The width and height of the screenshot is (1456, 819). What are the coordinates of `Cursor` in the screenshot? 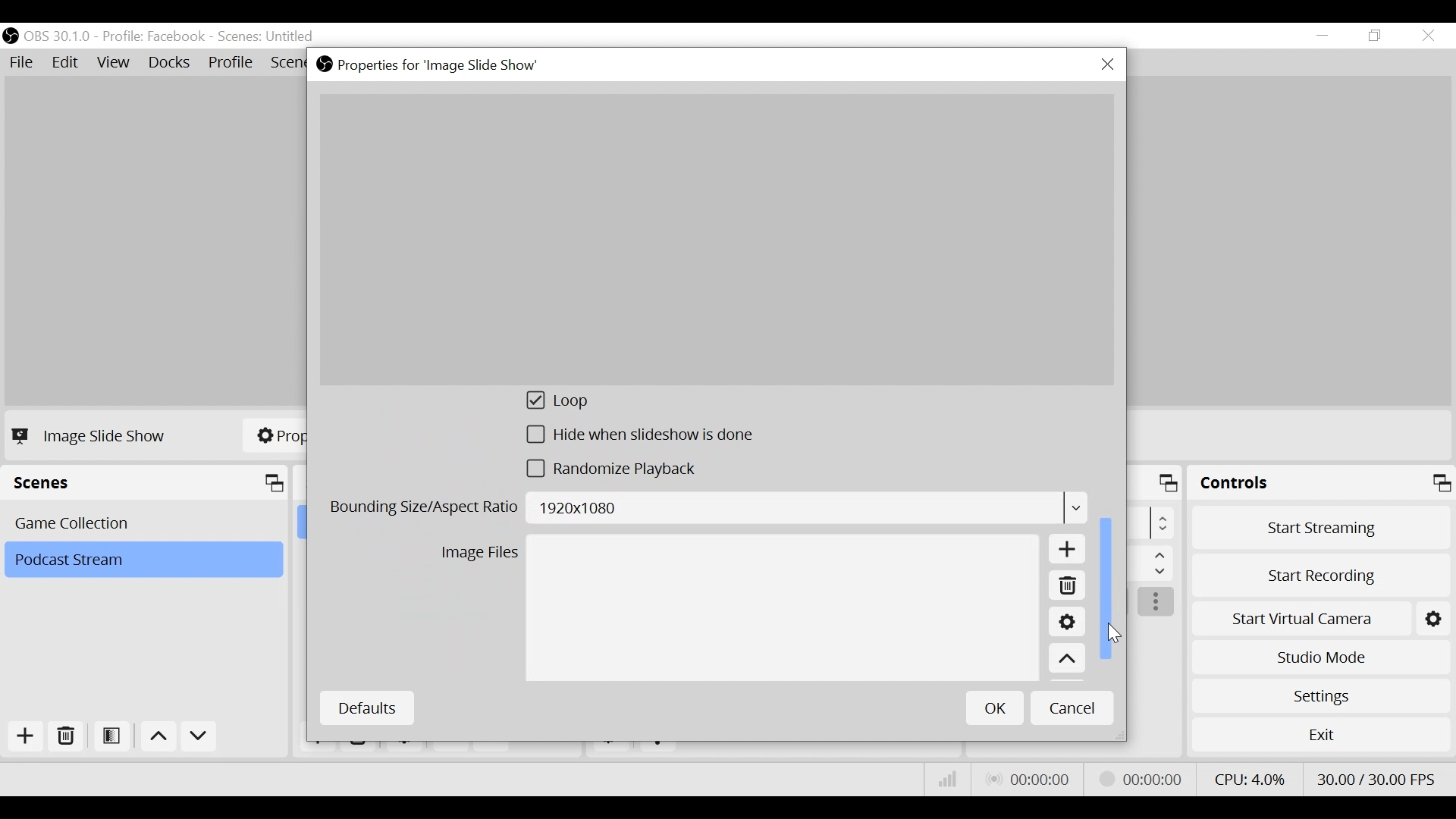 It's located at (1118, 635).